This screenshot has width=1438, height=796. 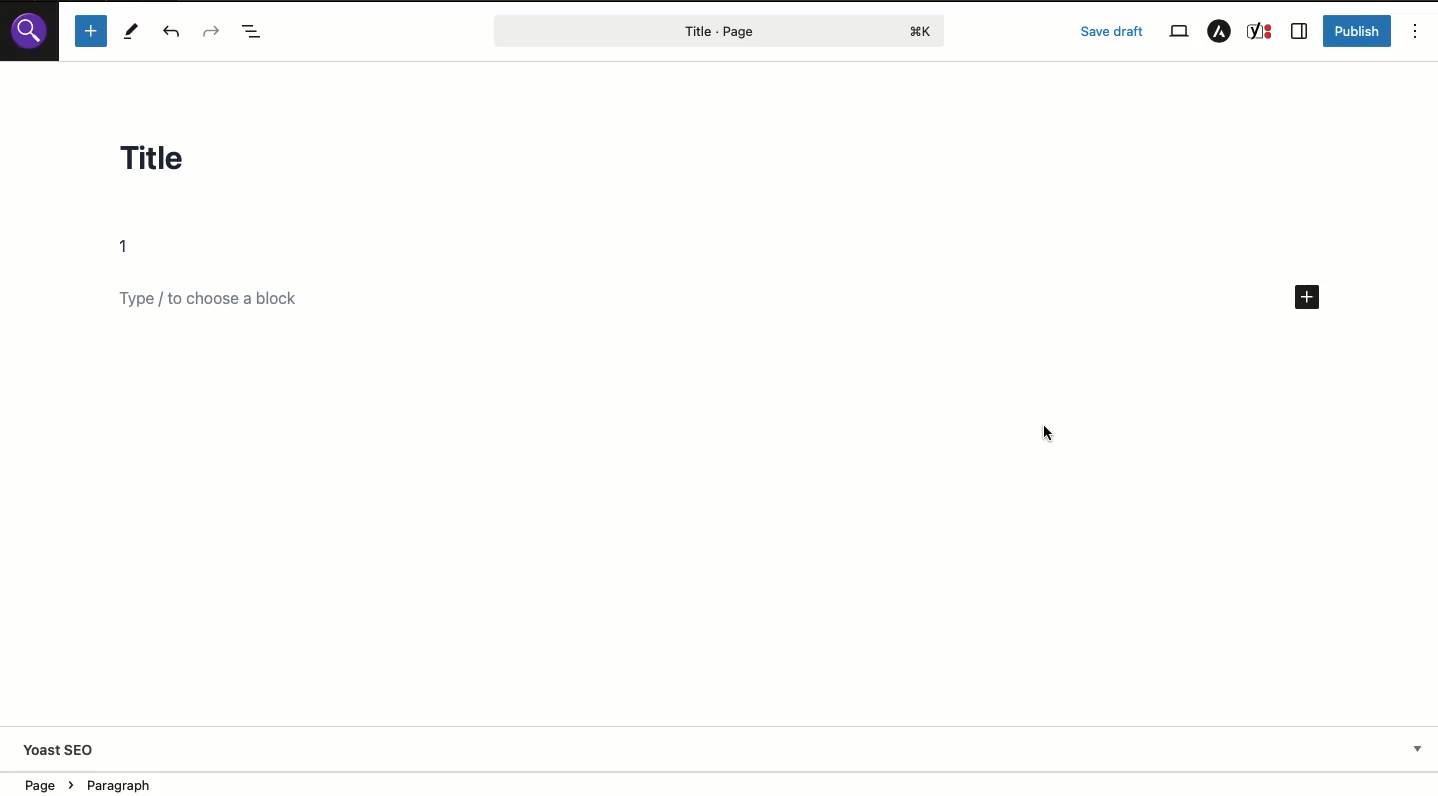 I want to click on Yoast, so click(x=1261, y=32).